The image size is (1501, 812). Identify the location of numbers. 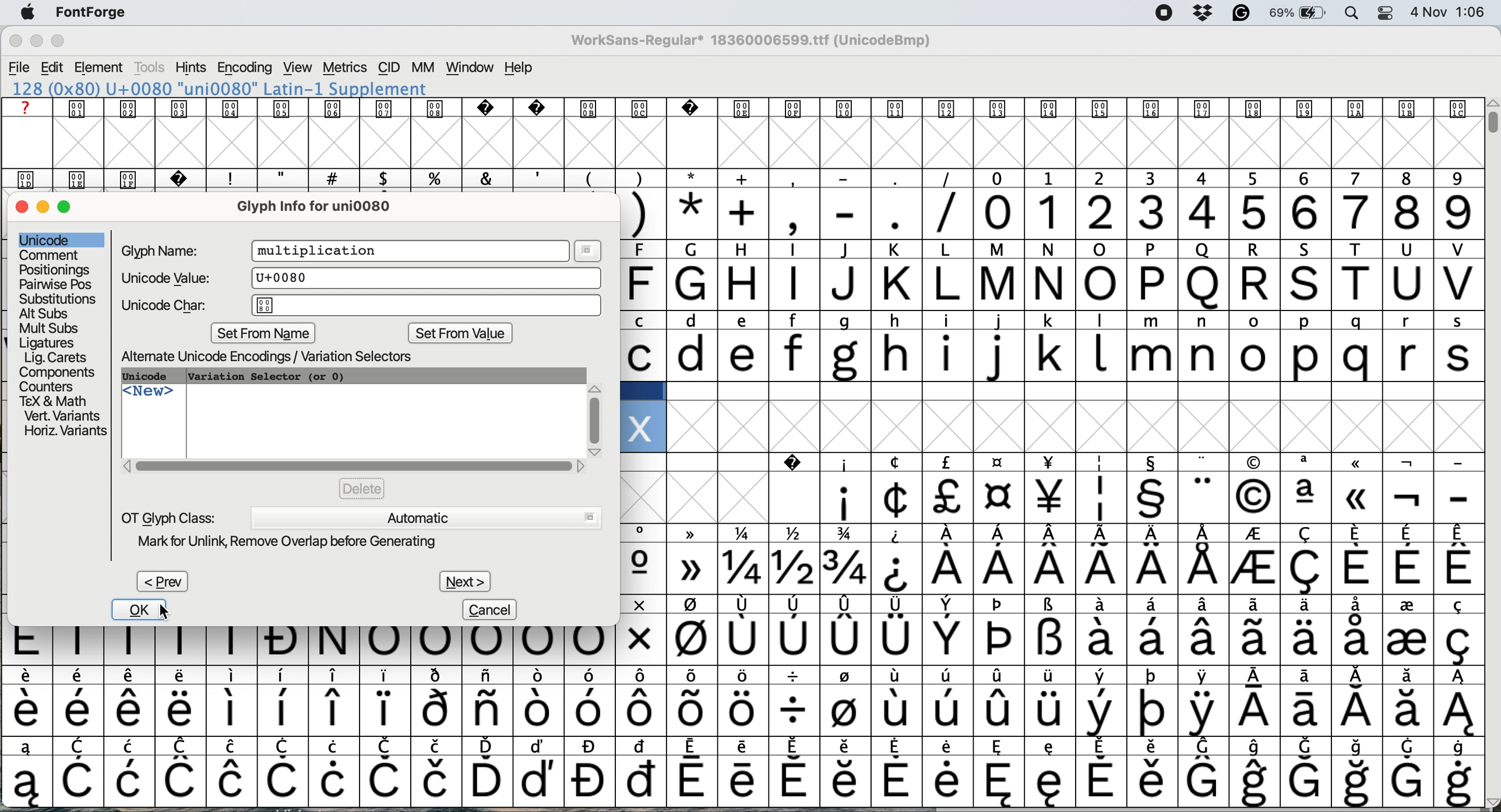
(1227, 211).